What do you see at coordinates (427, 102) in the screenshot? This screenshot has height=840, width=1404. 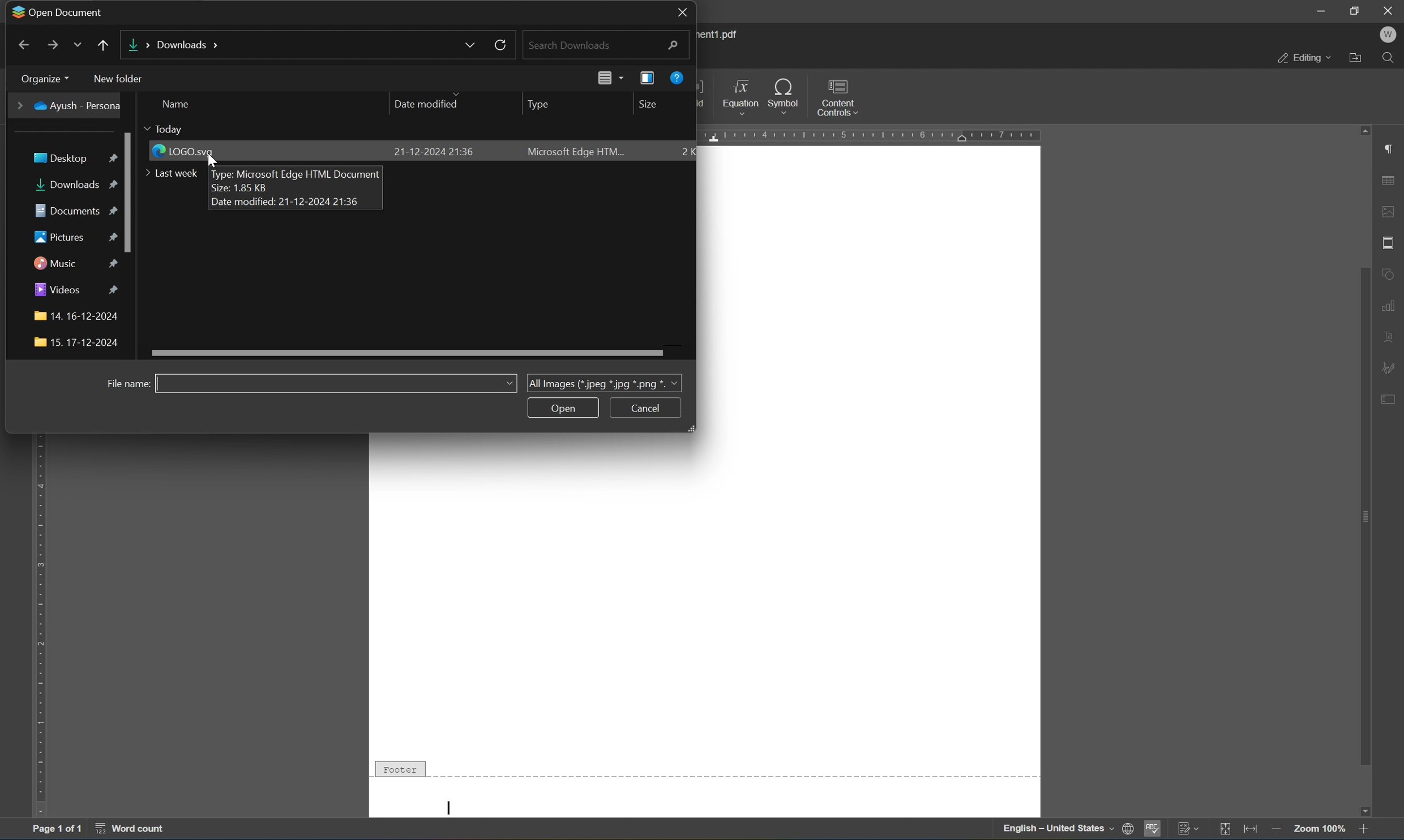 I see `date modified` at bounding box center [427, 102].